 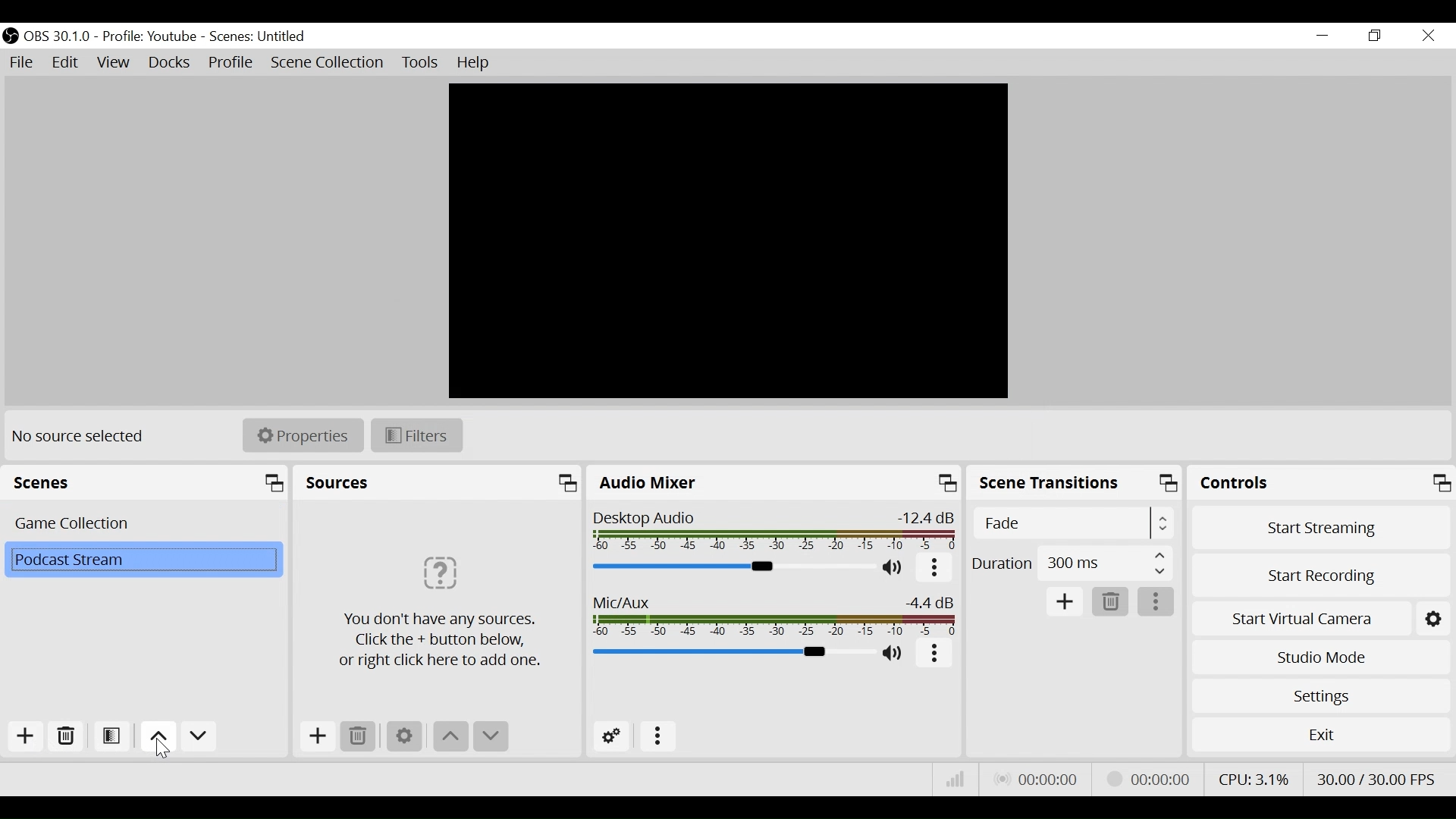 I want to click on (un)select Duration, so click(x=1072, y=563).